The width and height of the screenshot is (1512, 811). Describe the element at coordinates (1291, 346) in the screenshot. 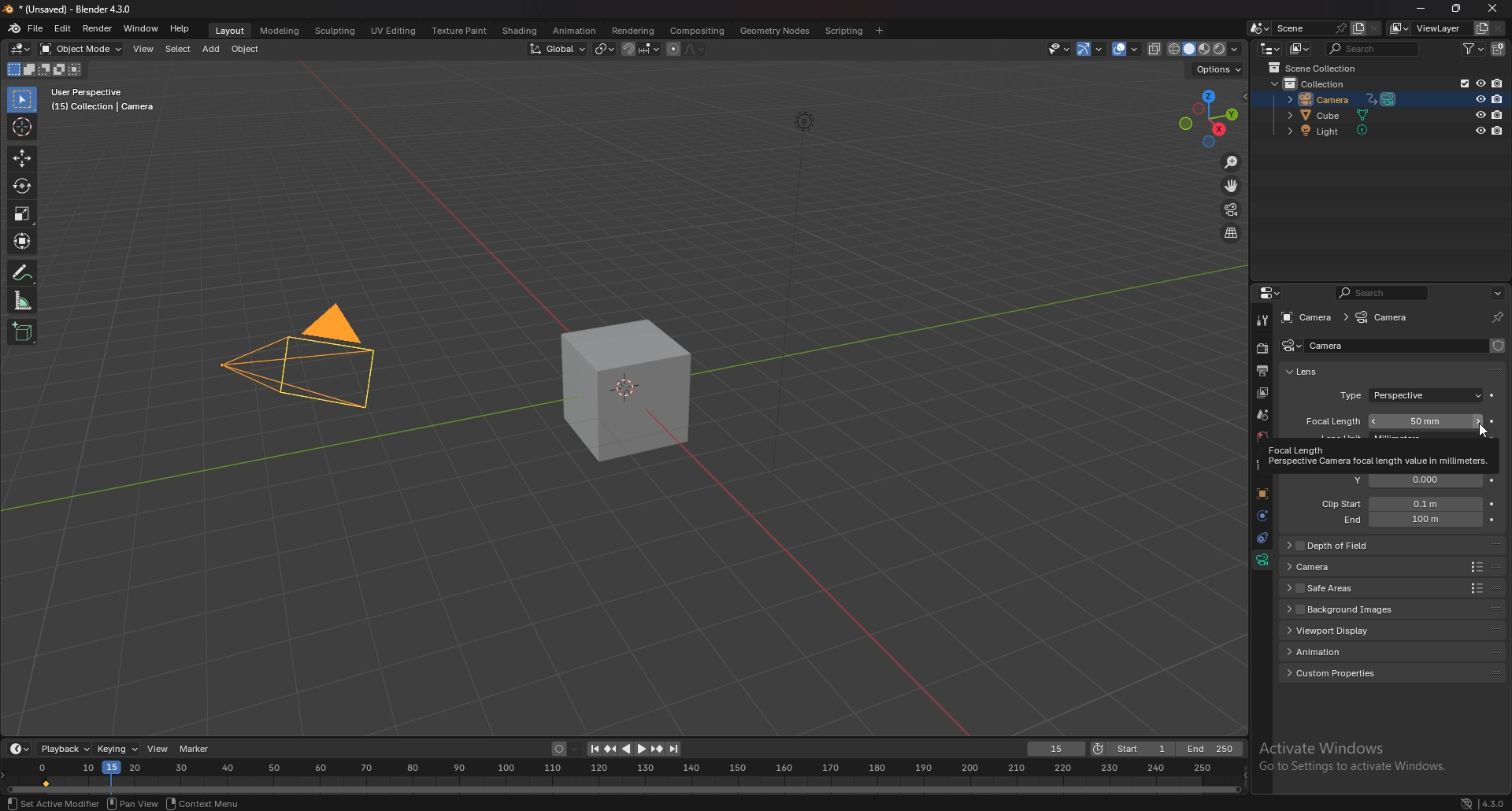

I see `camera` at that location.